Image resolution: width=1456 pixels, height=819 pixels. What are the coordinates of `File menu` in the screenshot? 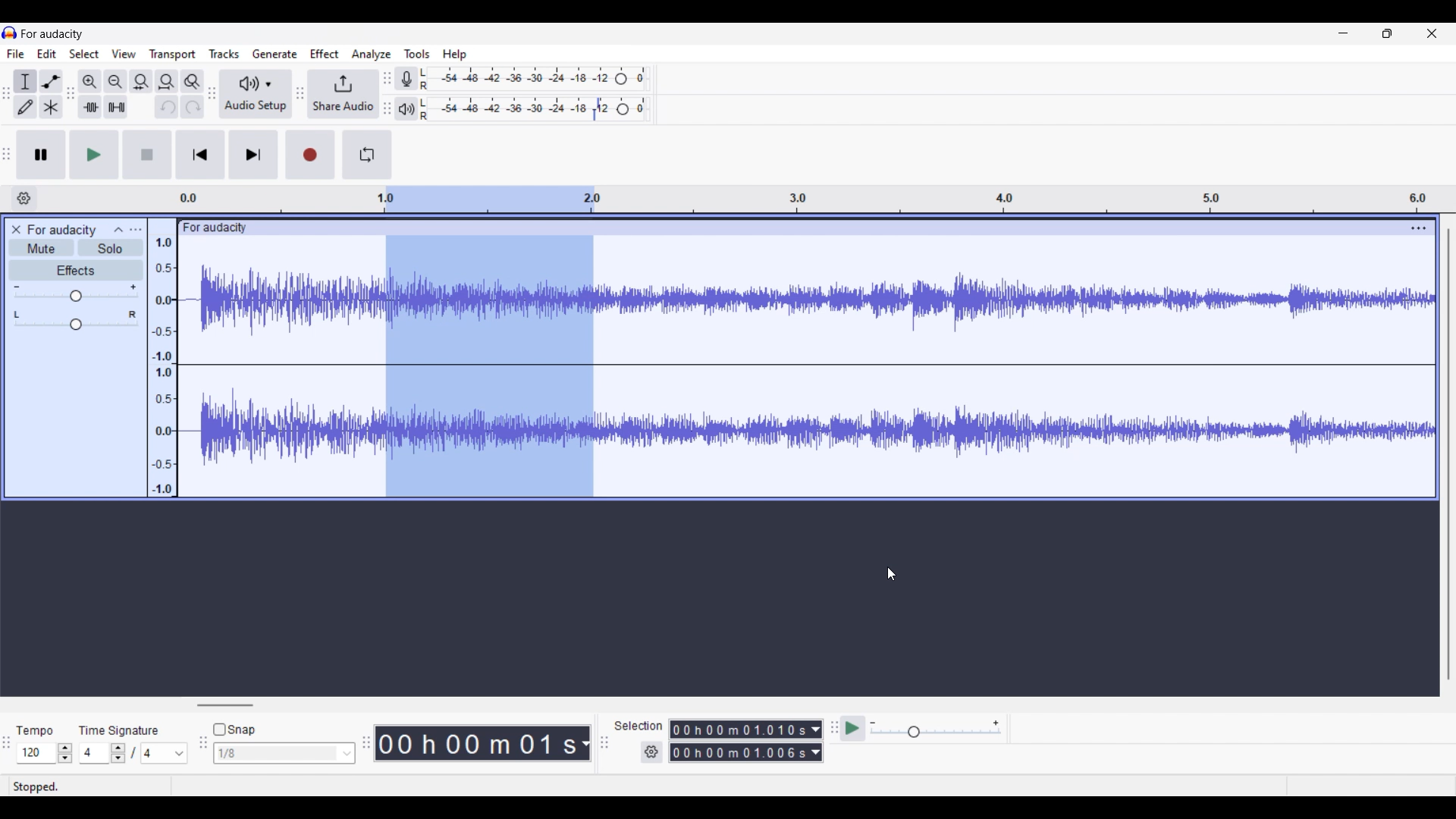 It's located at (16, 54).